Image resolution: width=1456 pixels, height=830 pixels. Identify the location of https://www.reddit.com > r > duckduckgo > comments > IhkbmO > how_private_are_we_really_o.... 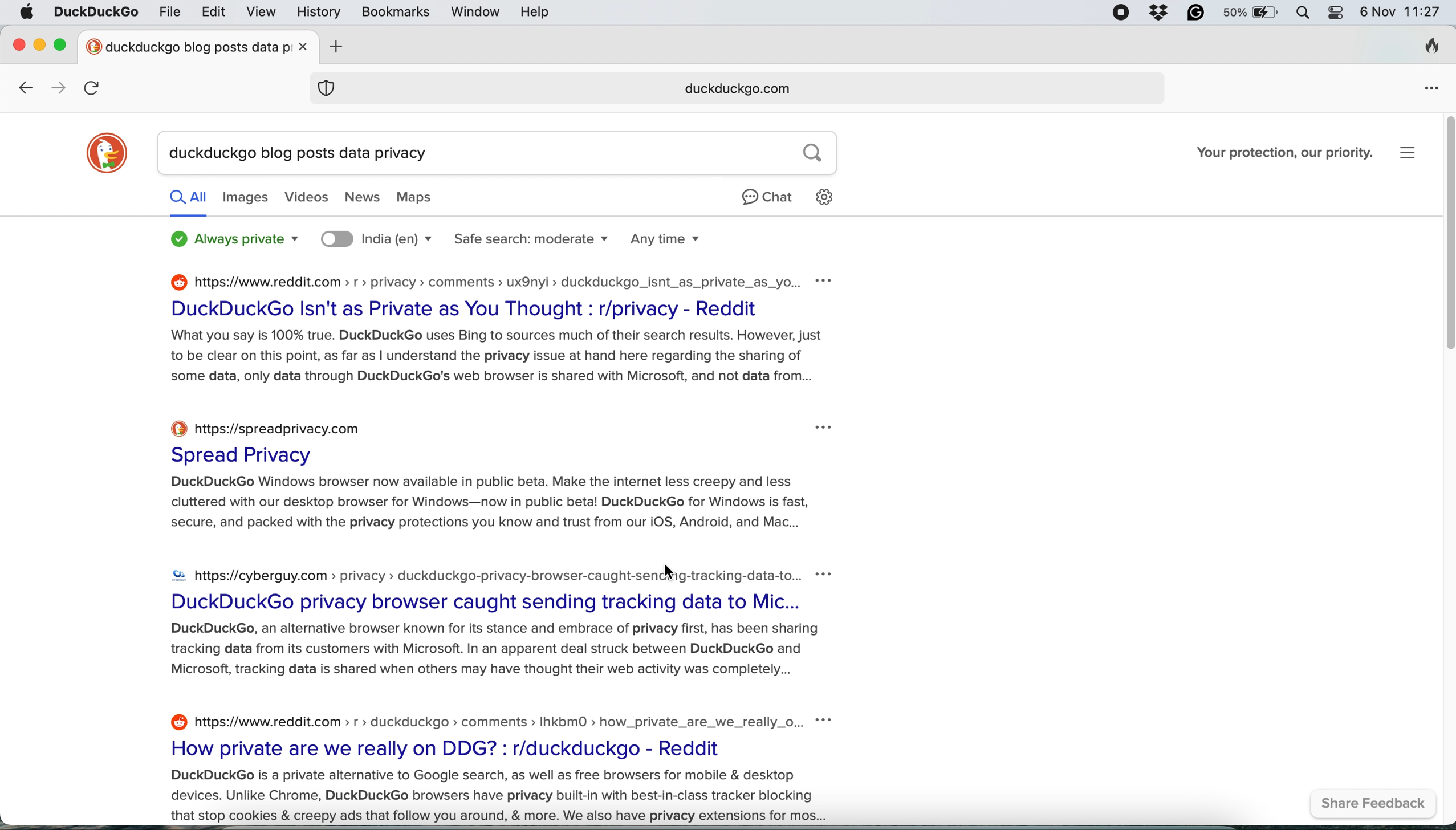
(474, 721).